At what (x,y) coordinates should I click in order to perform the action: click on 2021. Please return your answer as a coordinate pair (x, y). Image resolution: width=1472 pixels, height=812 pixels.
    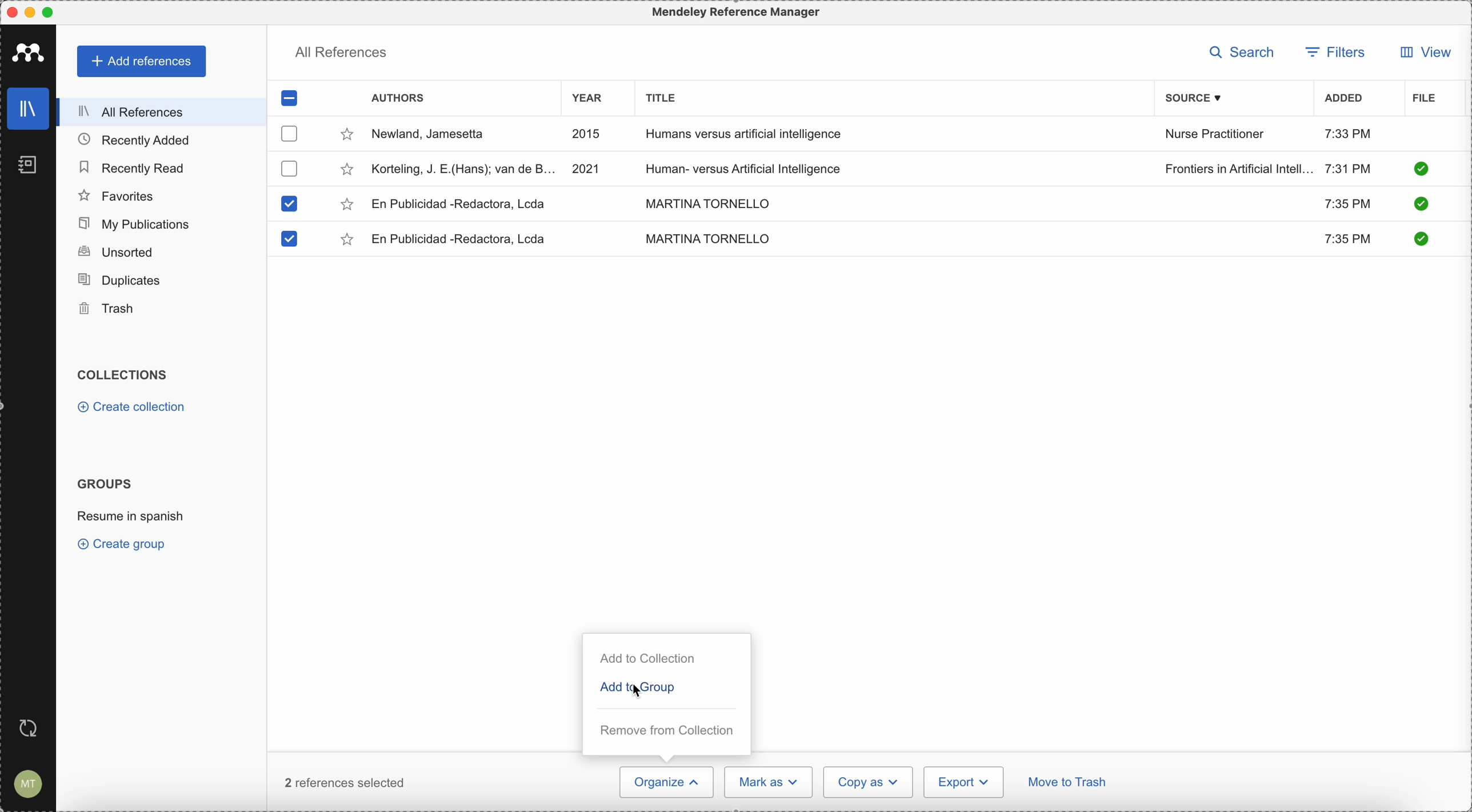
    Looking at the image, I should click on (587, 167).